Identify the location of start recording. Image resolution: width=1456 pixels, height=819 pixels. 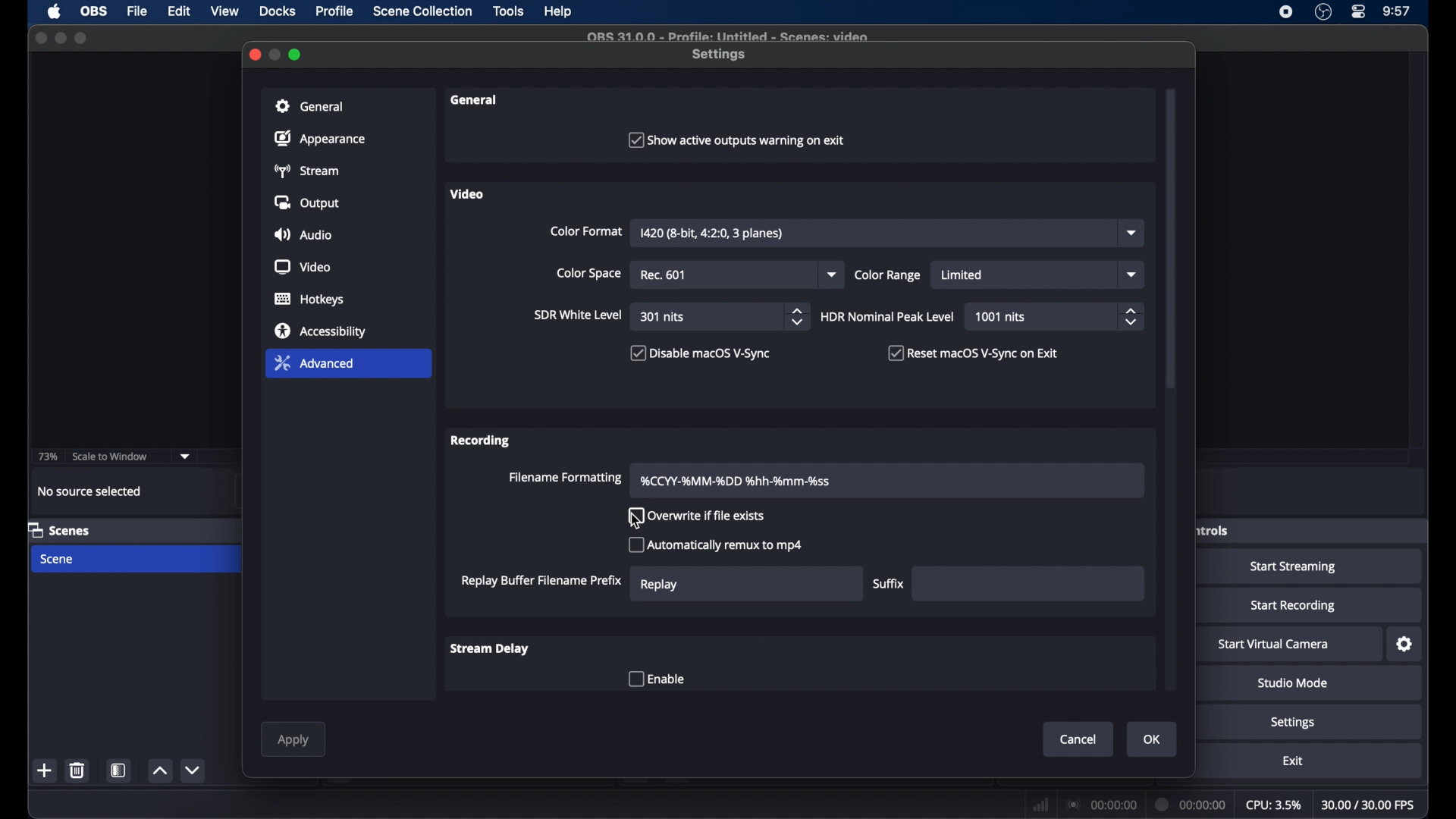
(1294, 606).